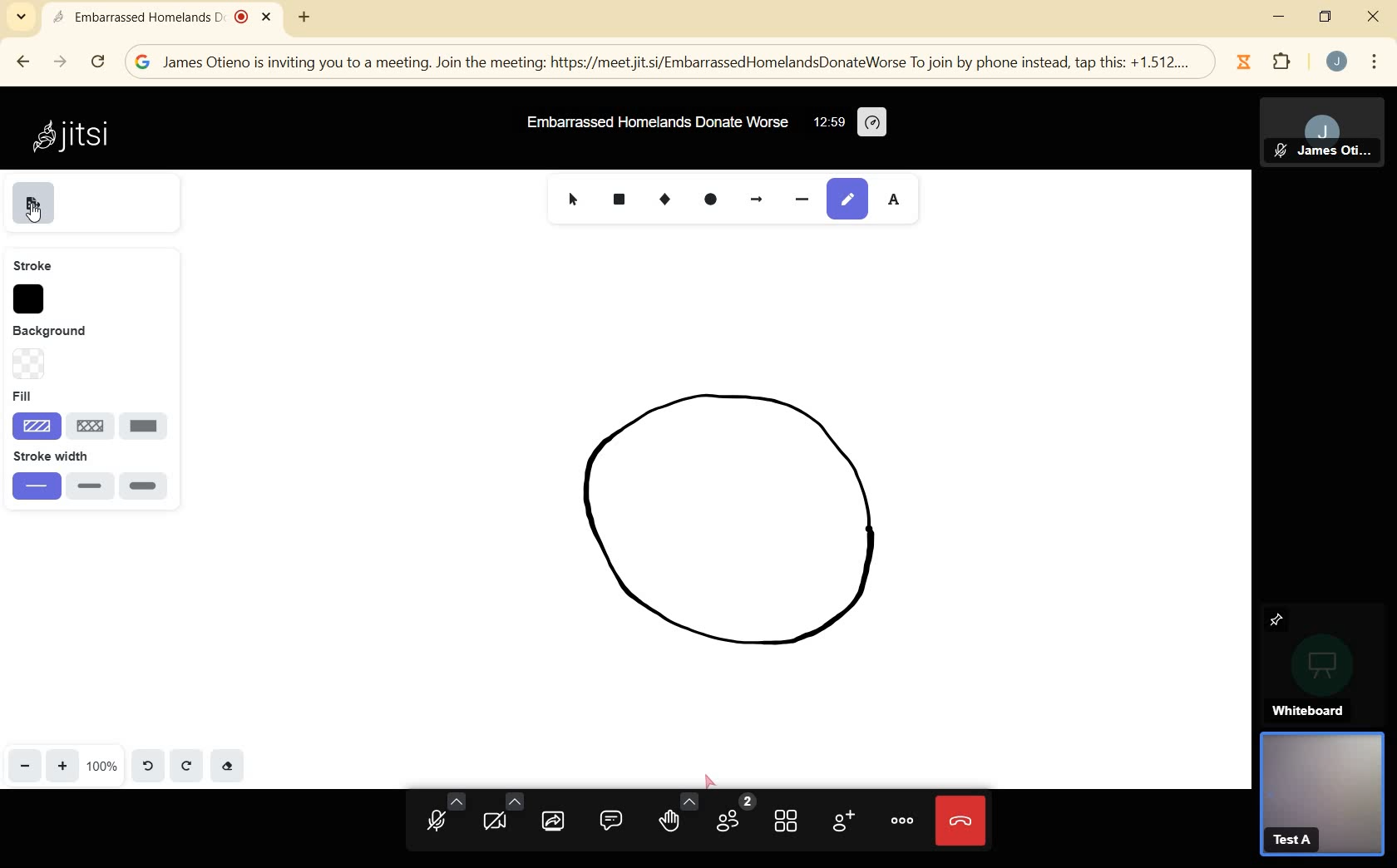 The height and width of the screenshot is (868, 1397). Describe the element at coordinates (805, 201) in the screenshot. I see `dash` at that location.